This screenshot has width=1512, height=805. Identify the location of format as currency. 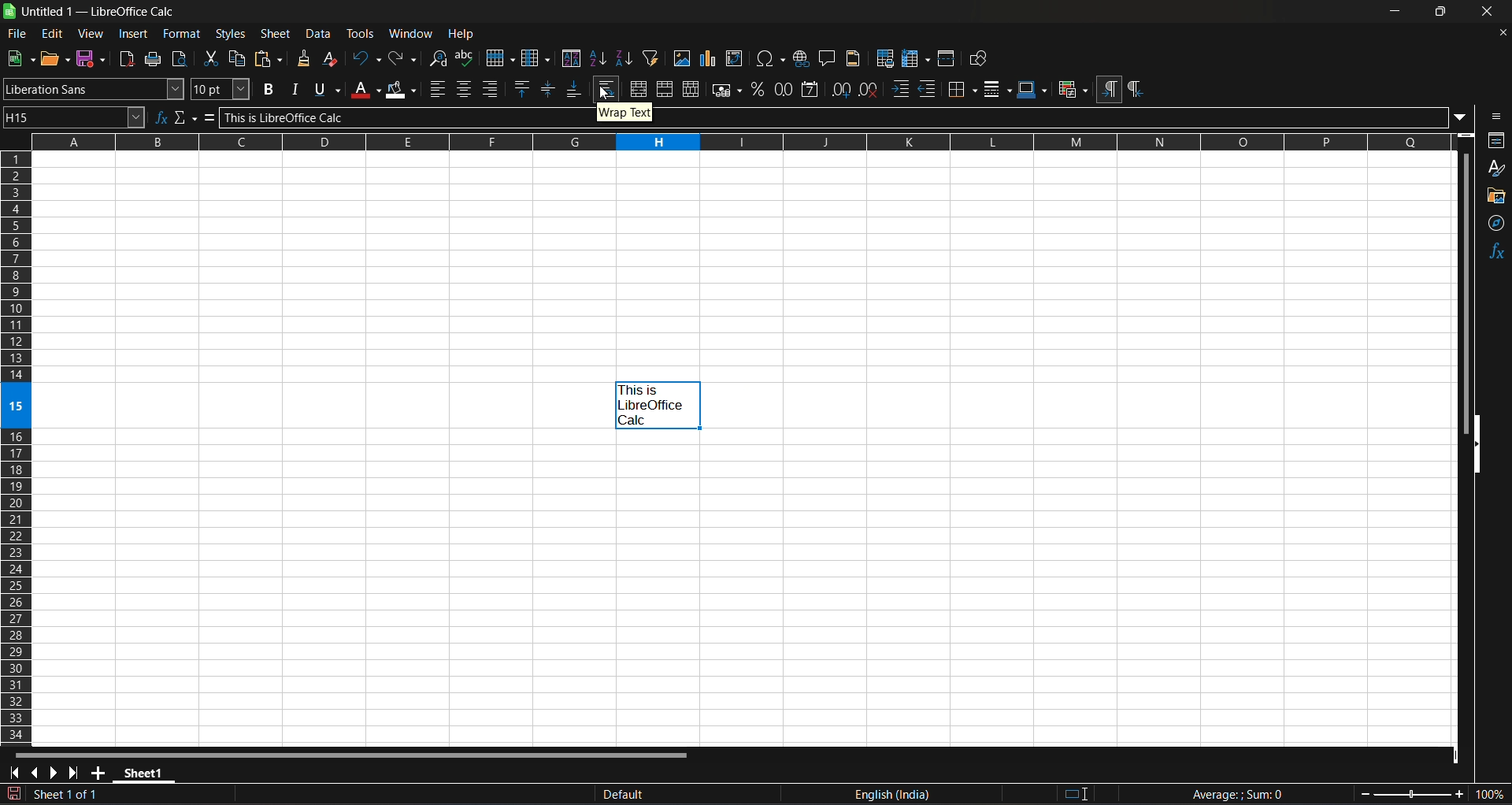
(724, 90).